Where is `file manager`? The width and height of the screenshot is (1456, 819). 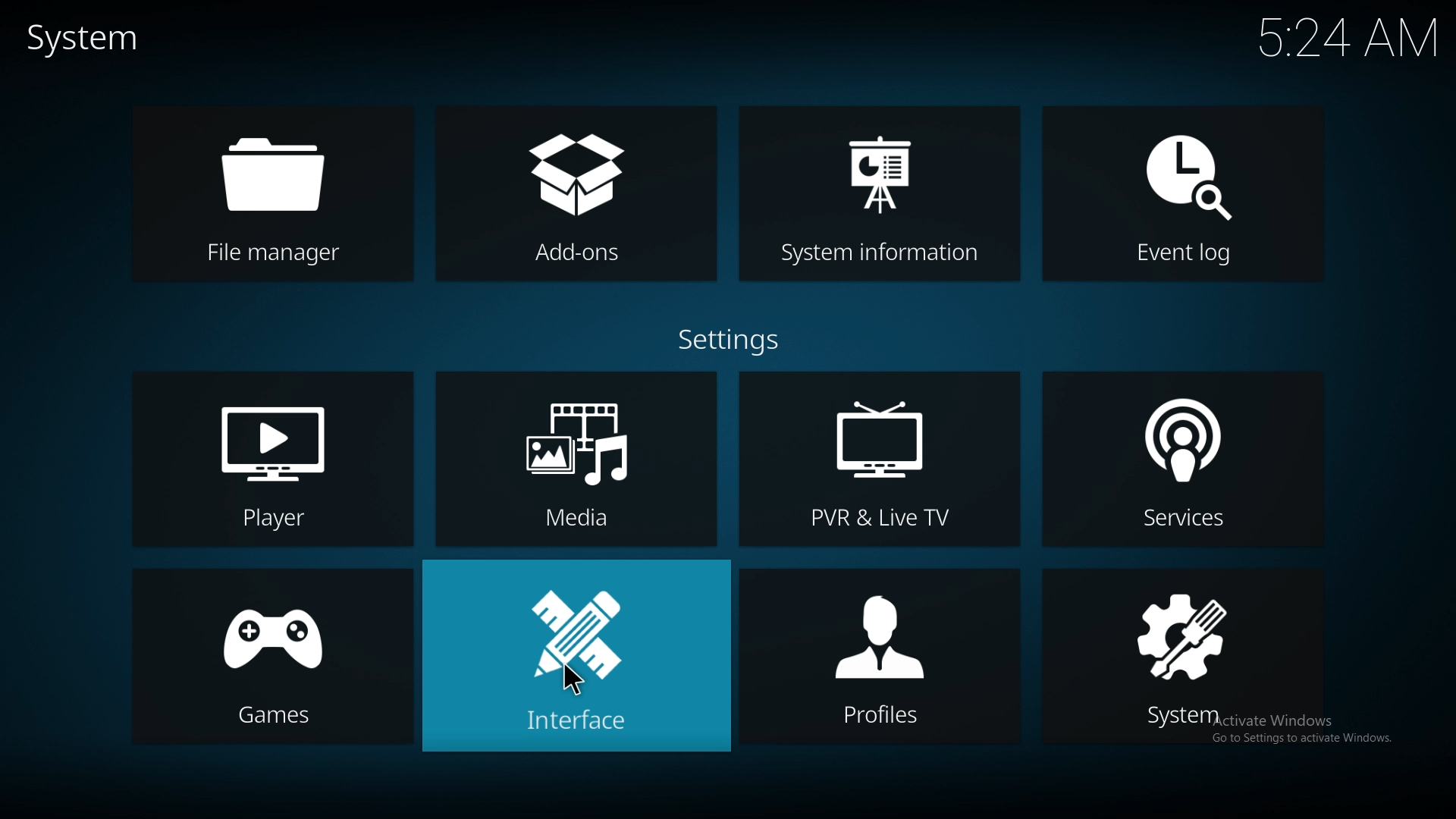 file manager is located at coordinates (291, 191).